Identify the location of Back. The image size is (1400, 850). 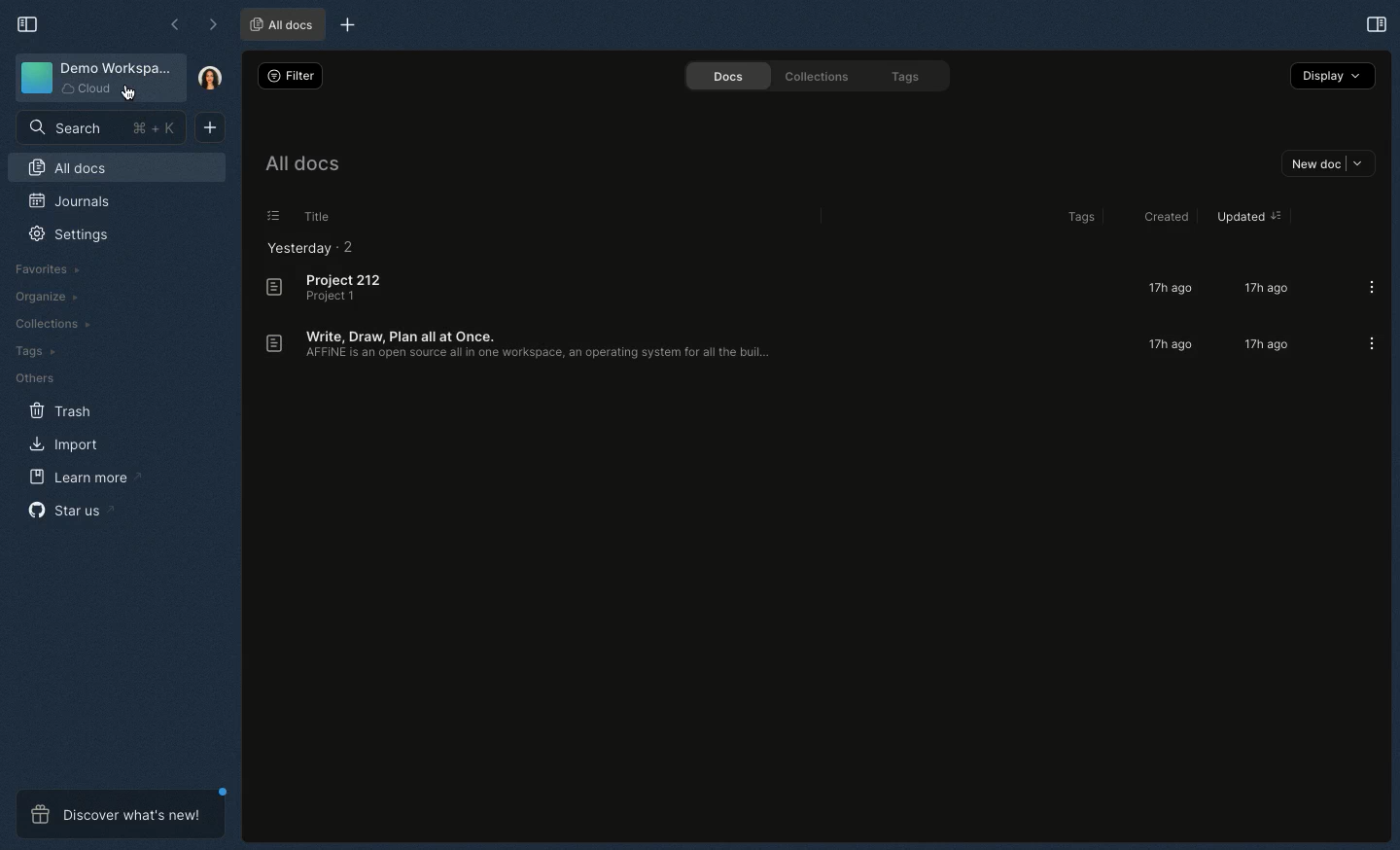
(174, 24).